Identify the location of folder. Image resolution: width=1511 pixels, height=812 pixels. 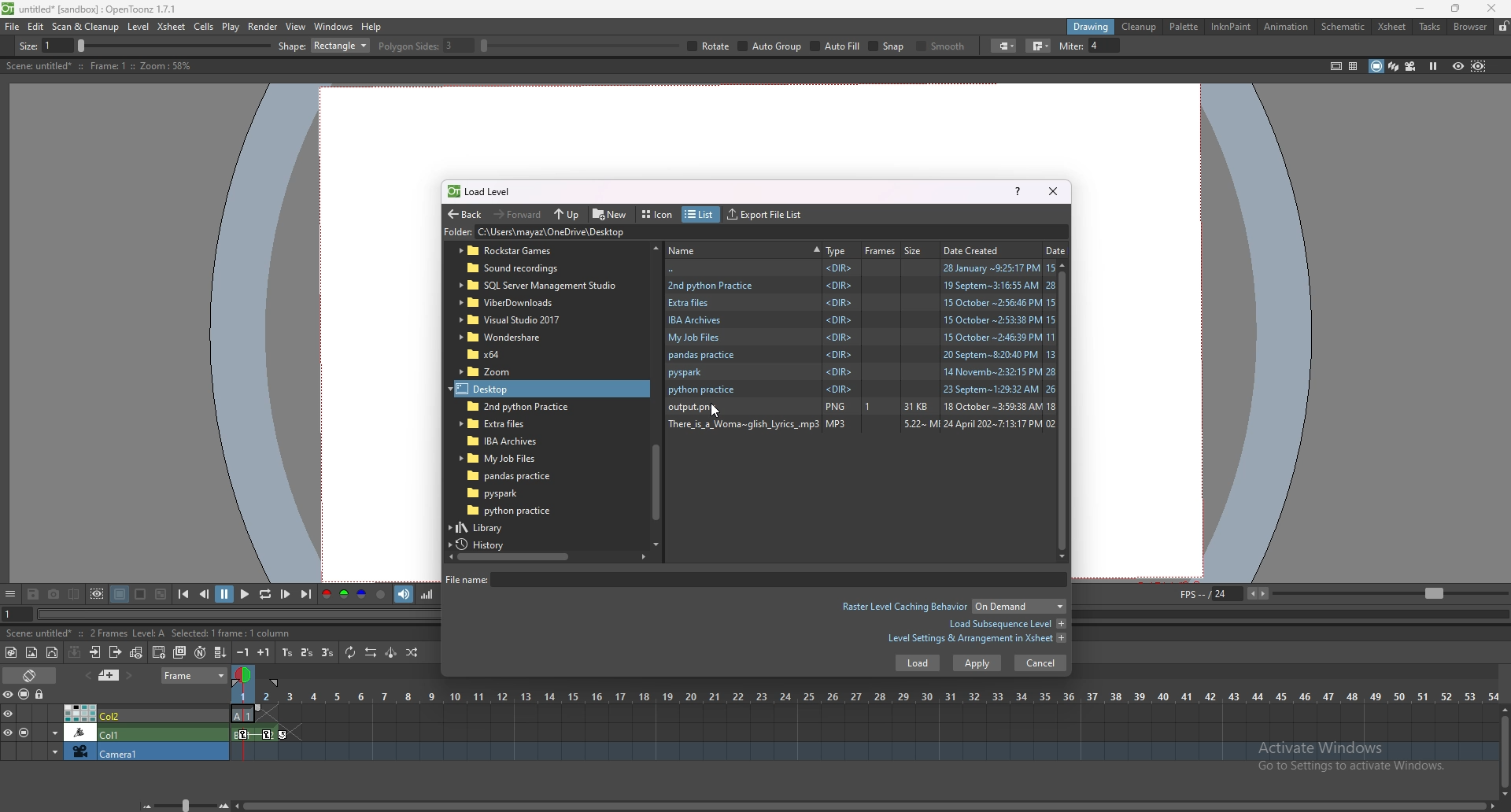
(527, 251).